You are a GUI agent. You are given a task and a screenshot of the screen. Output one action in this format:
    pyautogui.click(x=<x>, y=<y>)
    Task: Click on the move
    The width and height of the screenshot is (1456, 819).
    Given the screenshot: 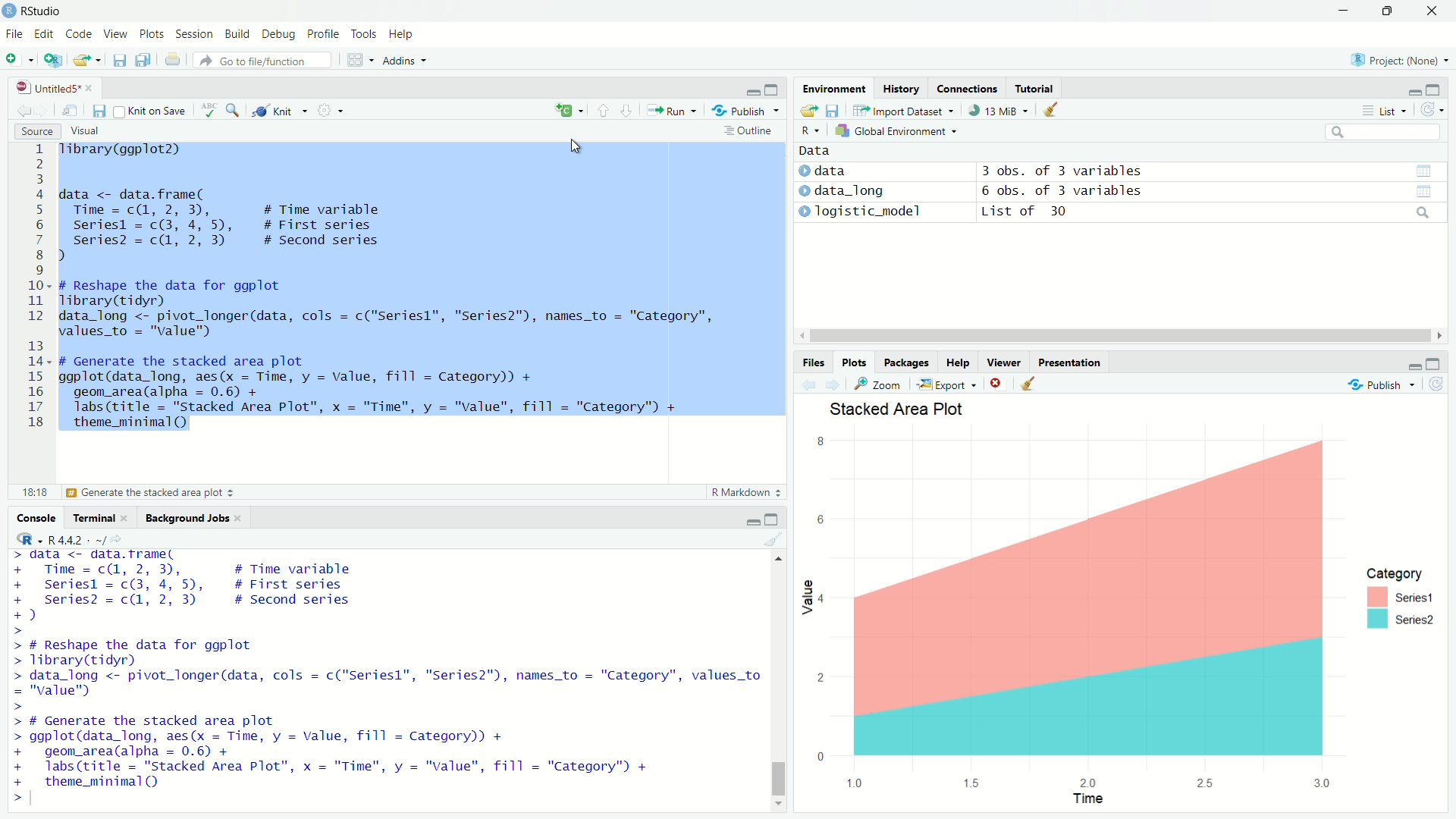 What is the action you would take?
    pyautogui.click(x=71, y=109)
    